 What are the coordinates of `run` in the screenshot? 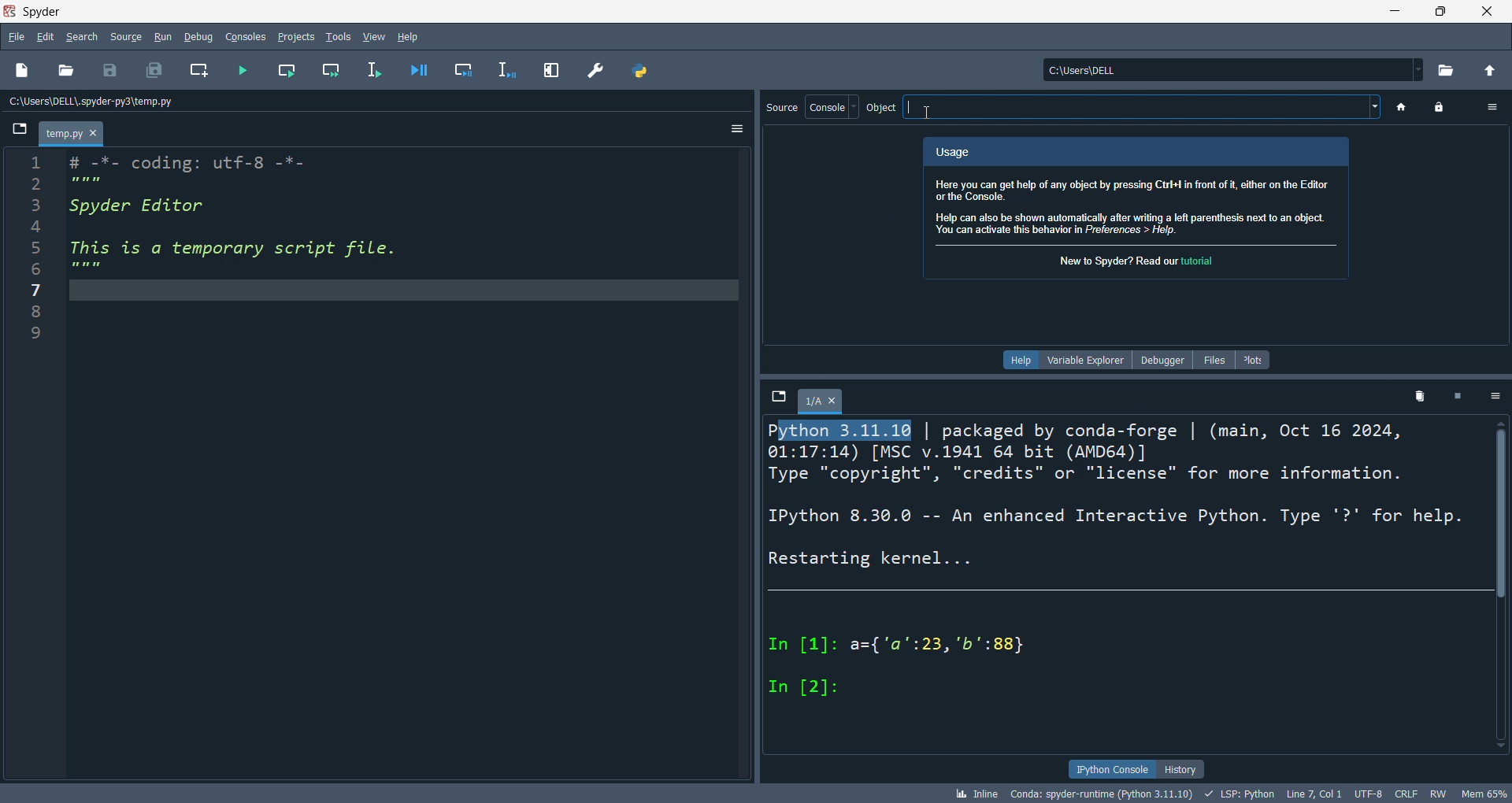 It's located at (243, 68).